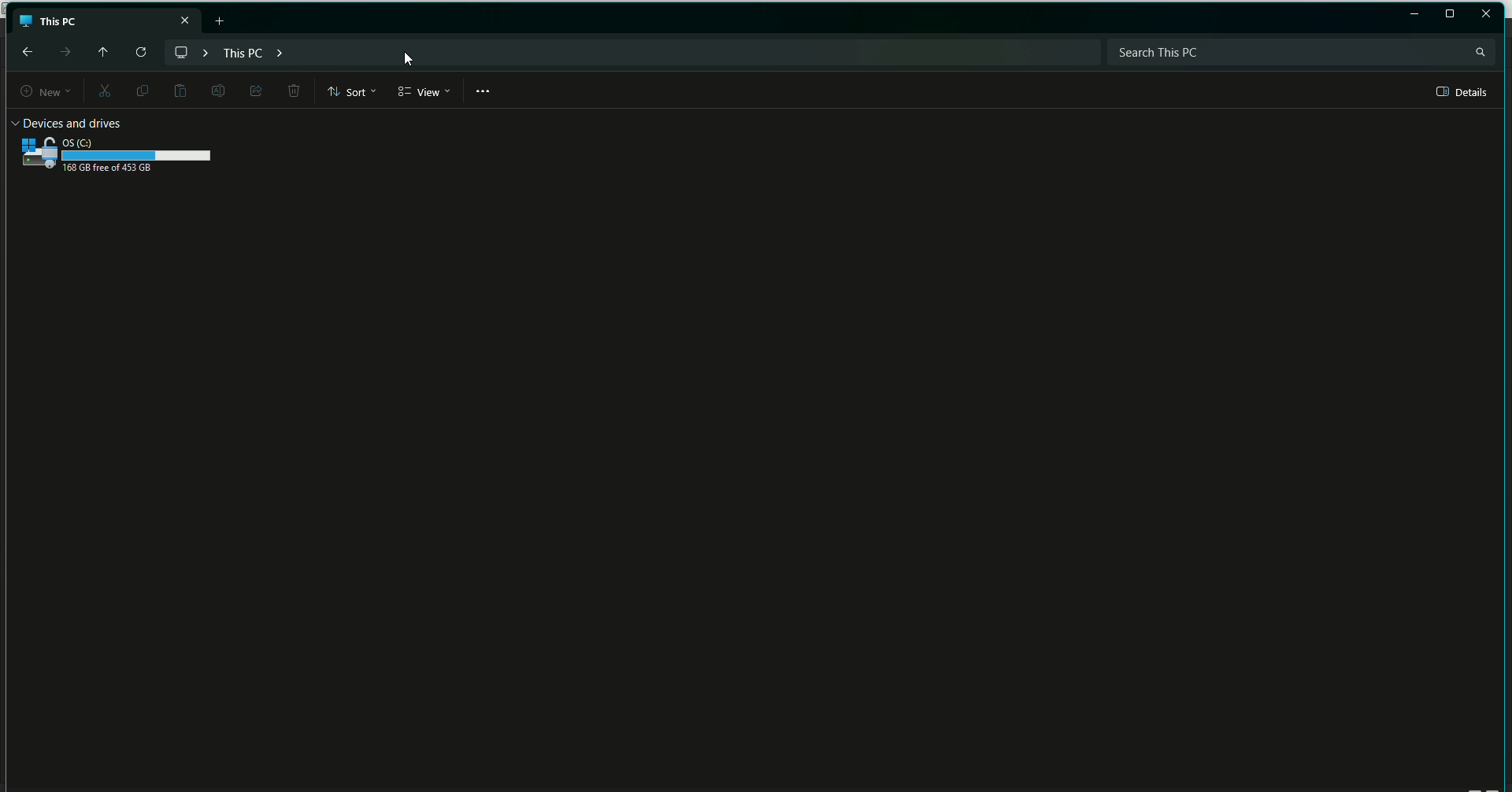 The height and width of the screenshot is (792, 1512). What do you see at coordinates (1450, 14) in the screenshot?
I see `Restore` at bounding box center [1450, 14].